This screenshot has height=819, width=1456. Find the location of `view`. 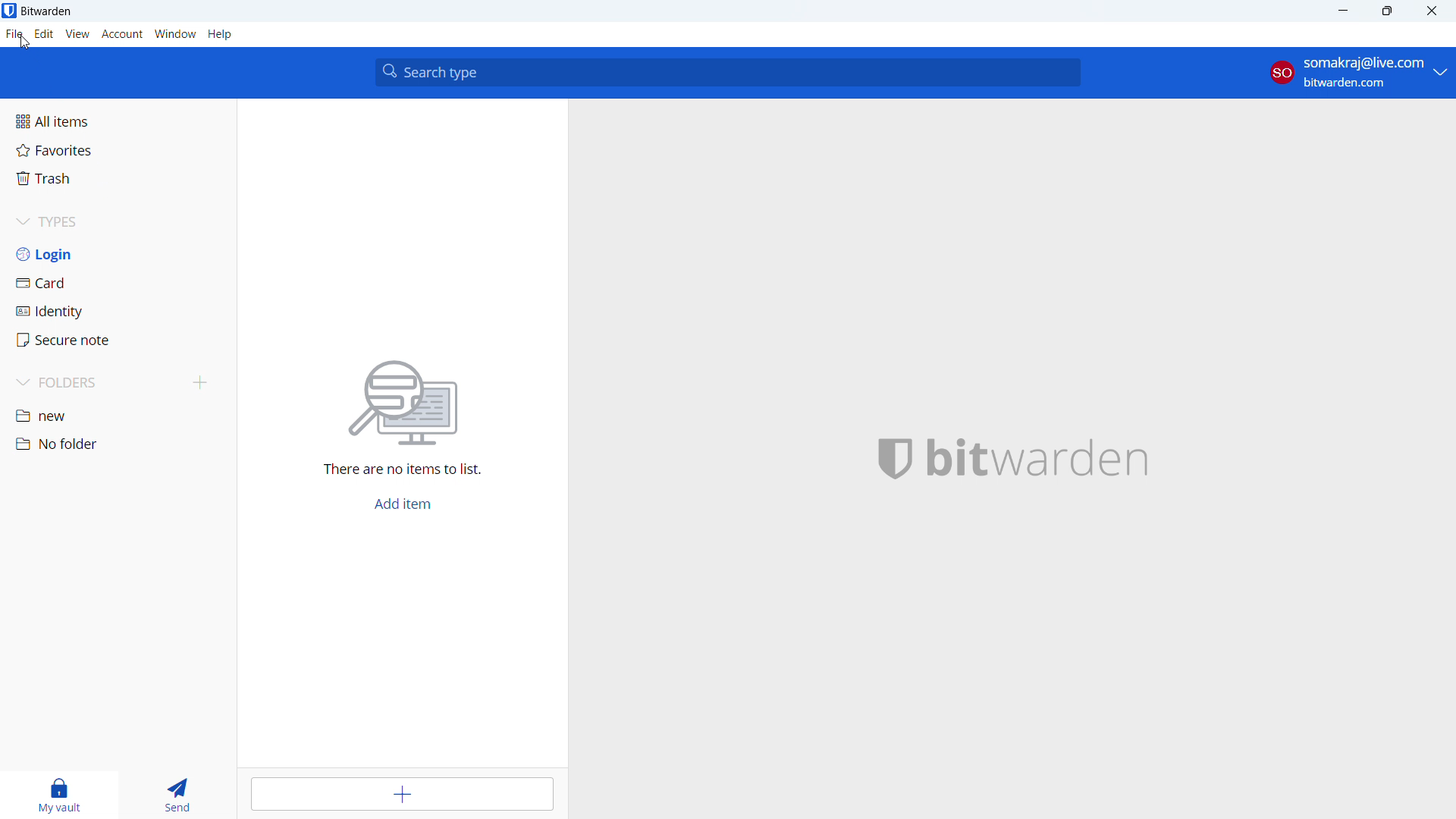

view is located at coordinates (77, 34).